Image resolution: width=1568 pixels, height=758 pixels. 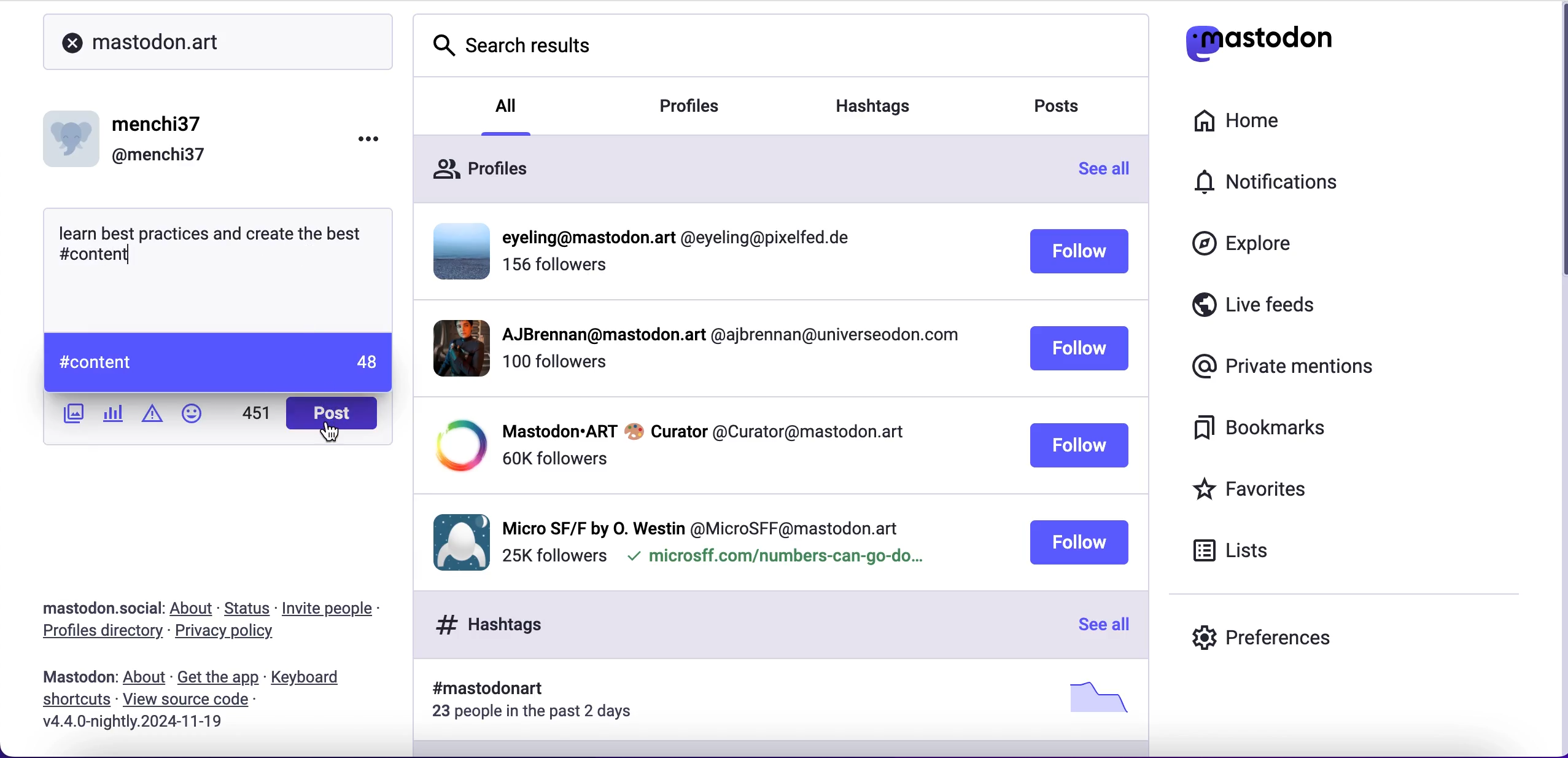 What do you see at coordinates (1078, 542) in the screenshot?
I see `follow` at bounding box center [1078, 542].